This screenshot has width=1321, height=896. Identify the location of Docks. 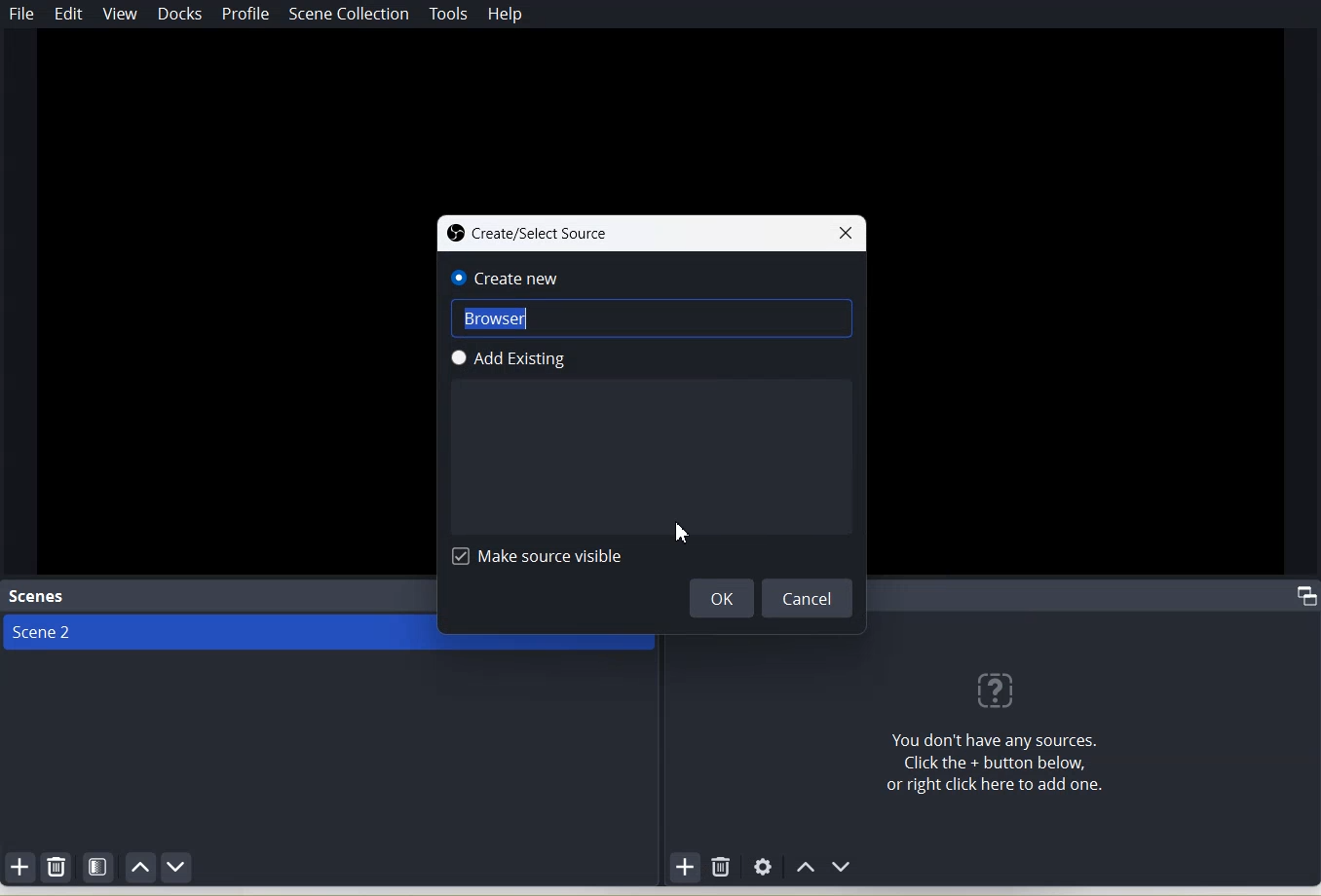
(182, 15).